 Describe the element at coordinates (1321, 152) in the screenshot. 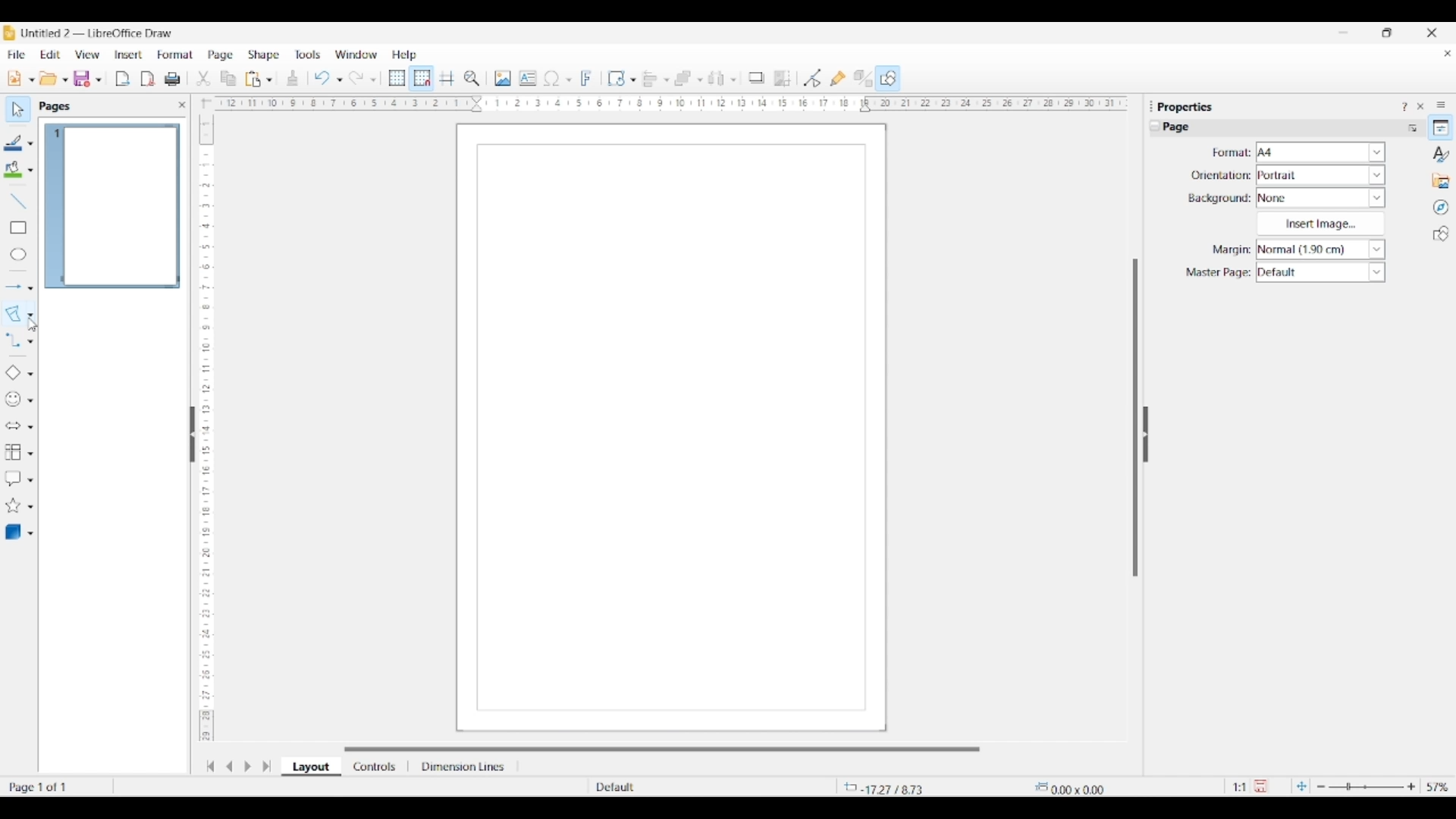

I see `Format options` at that location.